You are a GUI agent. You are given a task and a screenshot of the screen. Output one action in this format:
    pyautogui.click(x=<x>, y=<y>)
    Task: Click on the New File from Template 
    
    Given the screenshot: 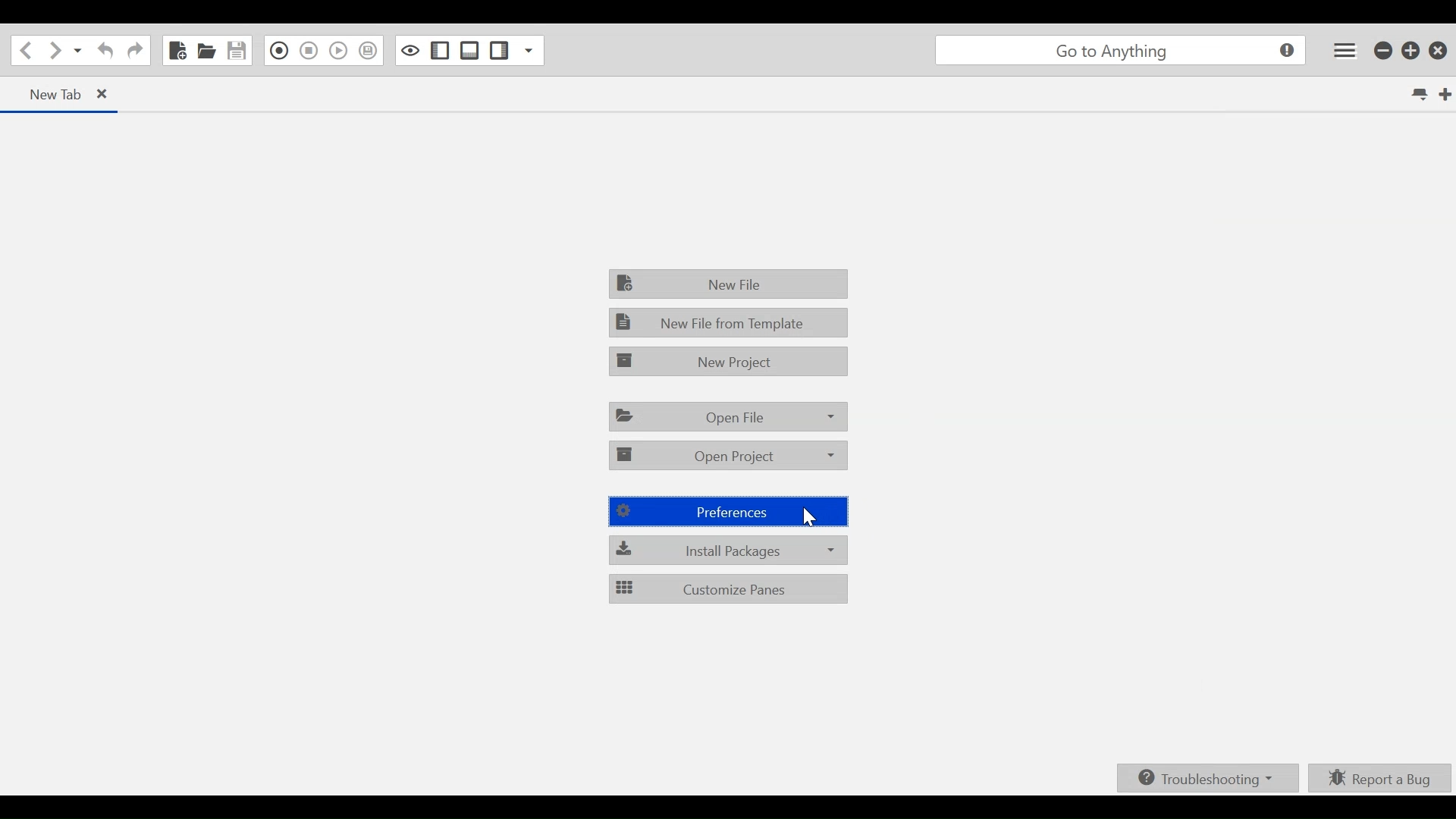 What is the action you would take?
    pyautogui.click(x=727, y=322)
    